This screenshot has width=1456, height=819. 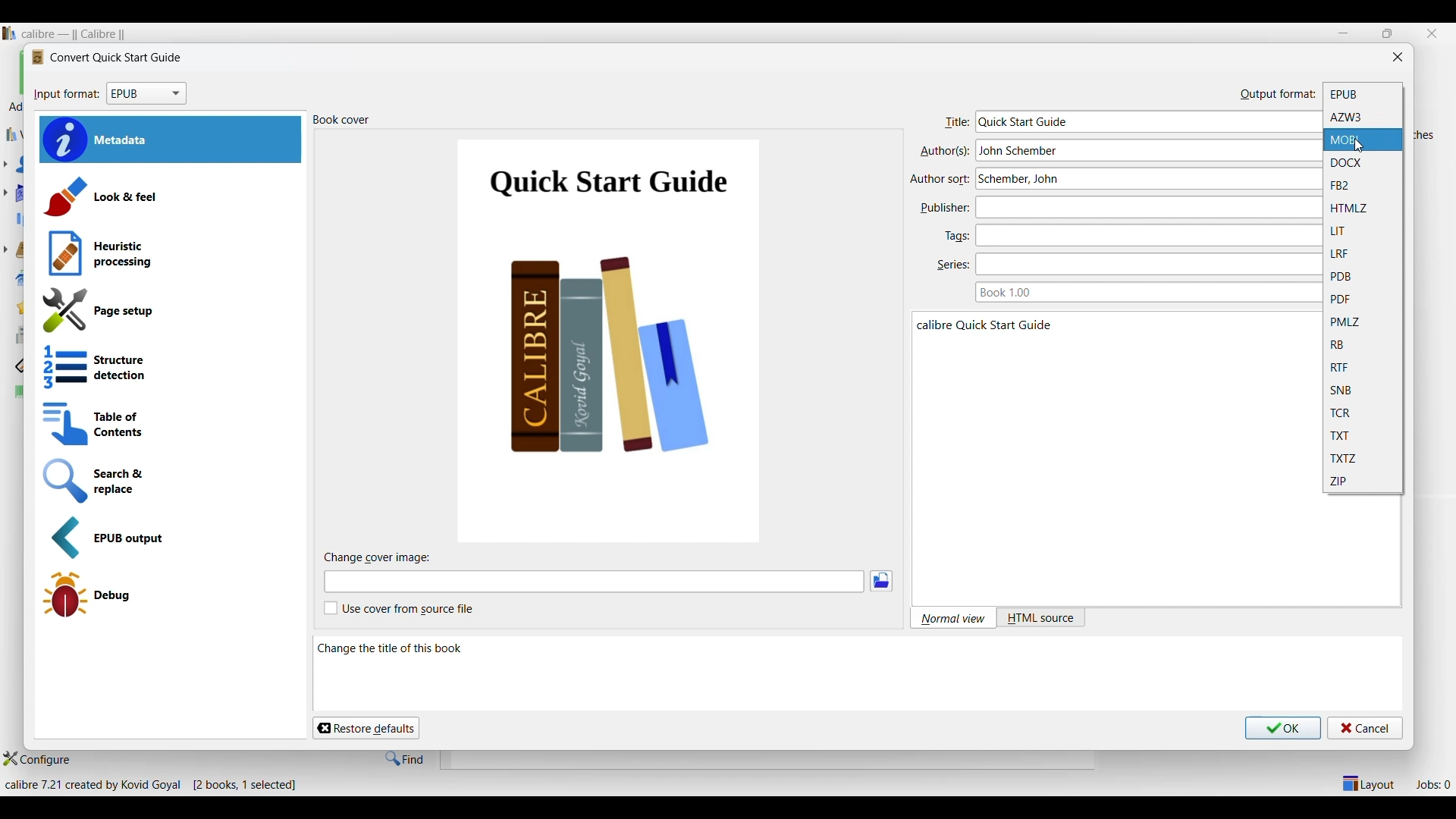 I want to click on cursor, so click(x=1362, y=147).